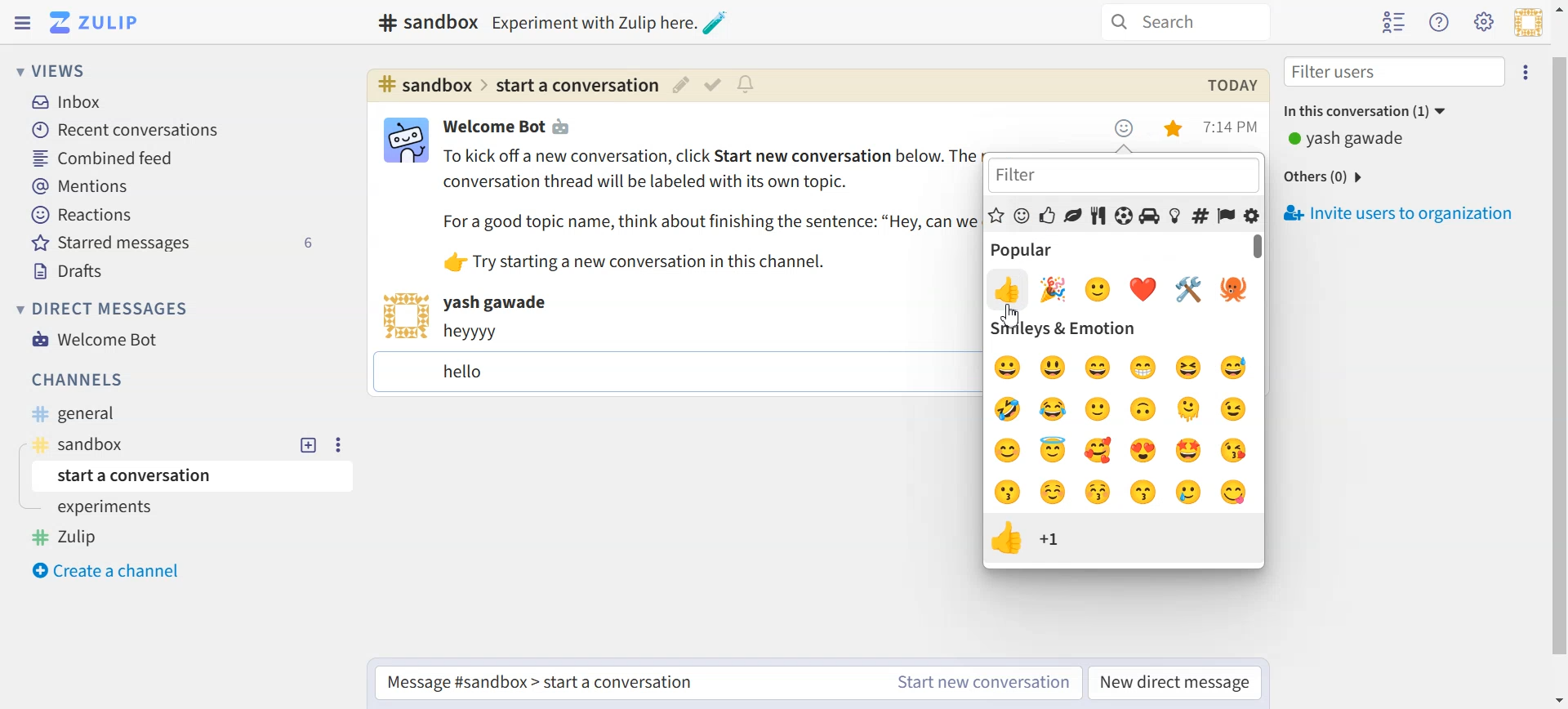 The width and height of the screenshot is (1568, 709). I want to click on Zulip Tag, so click(73, 537).